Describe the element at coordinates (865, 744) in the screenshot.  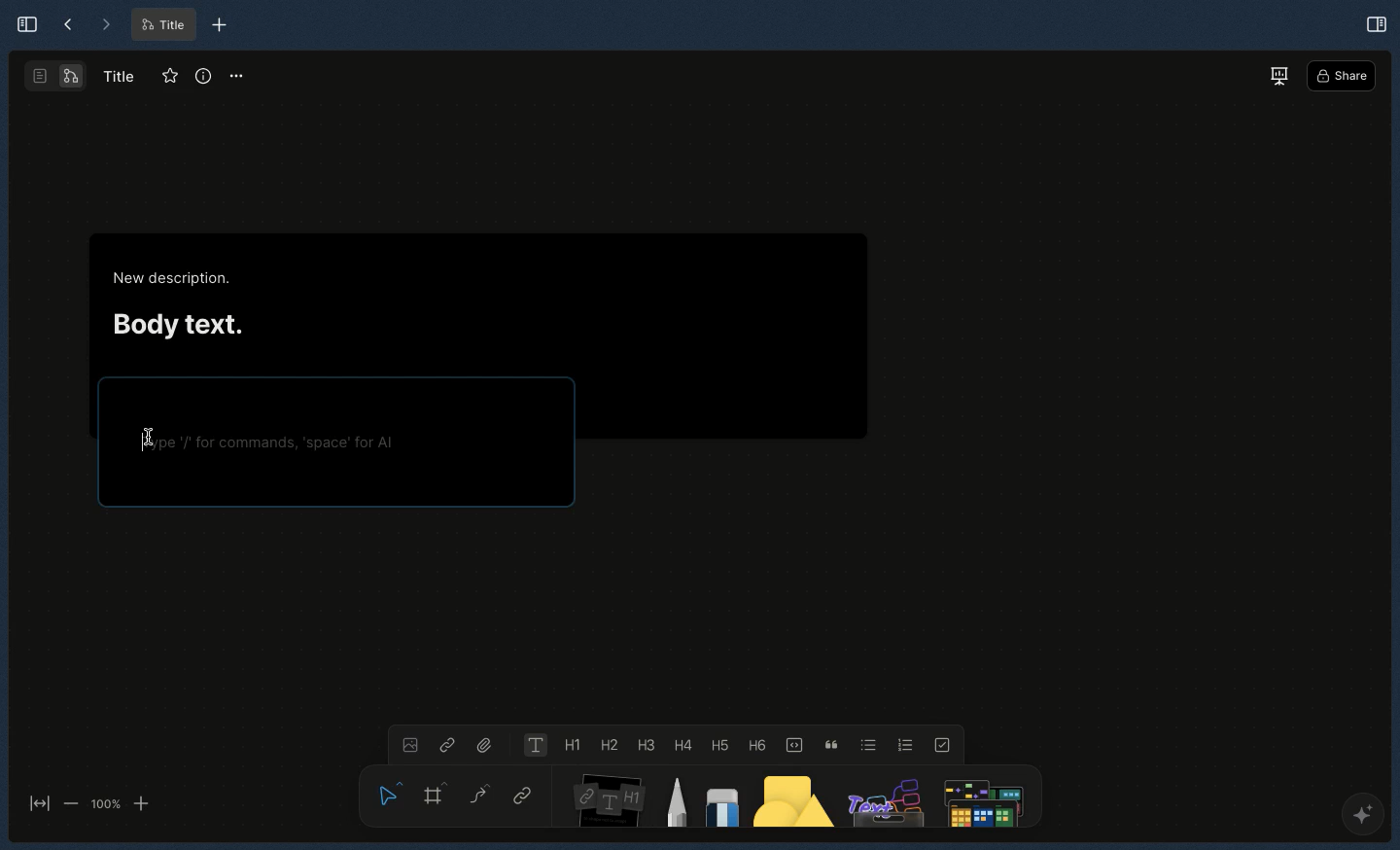
I see `Bulleted list` at that location.